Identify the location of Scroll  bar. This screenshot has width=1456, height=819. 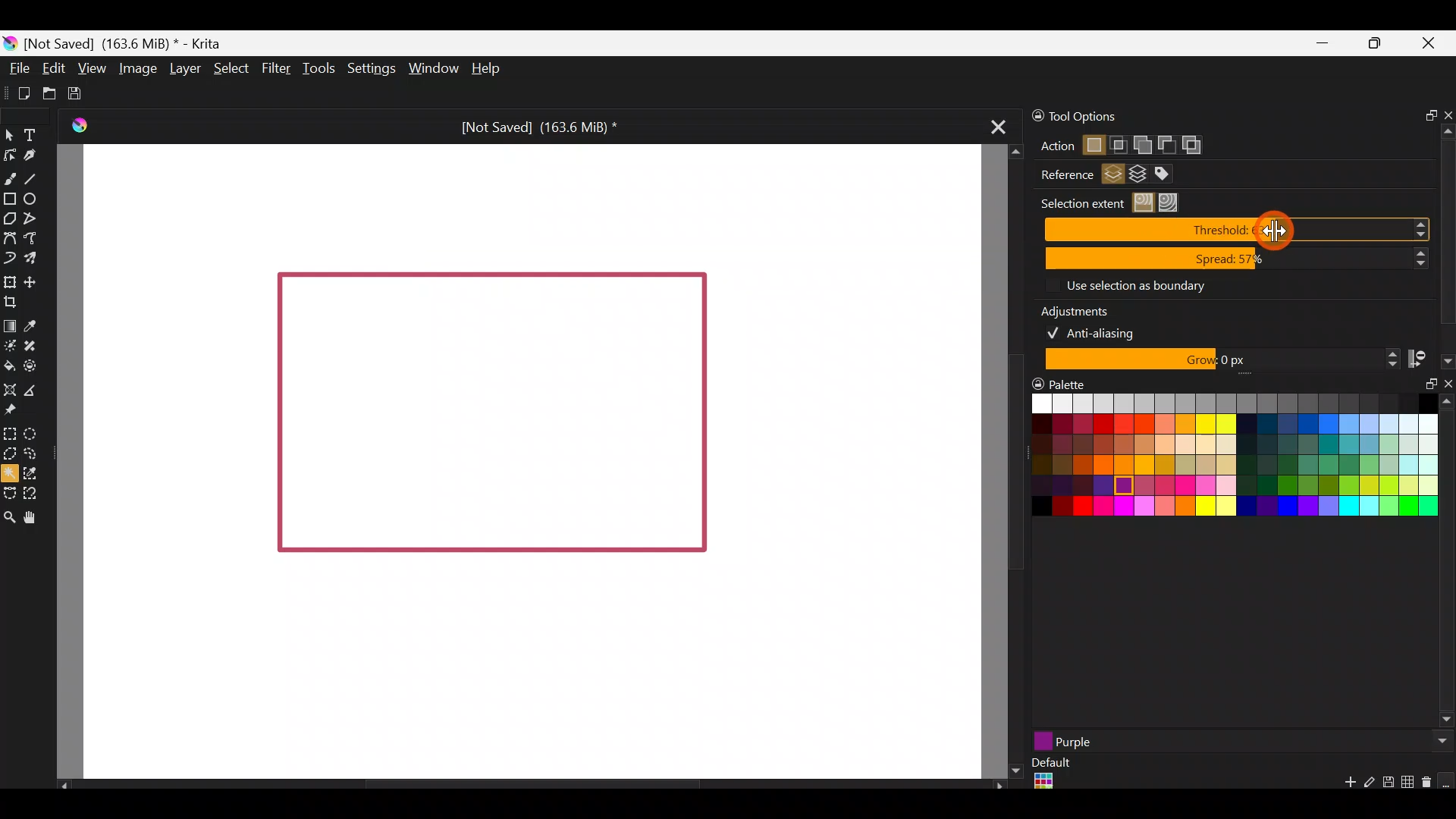
(1447, 230).